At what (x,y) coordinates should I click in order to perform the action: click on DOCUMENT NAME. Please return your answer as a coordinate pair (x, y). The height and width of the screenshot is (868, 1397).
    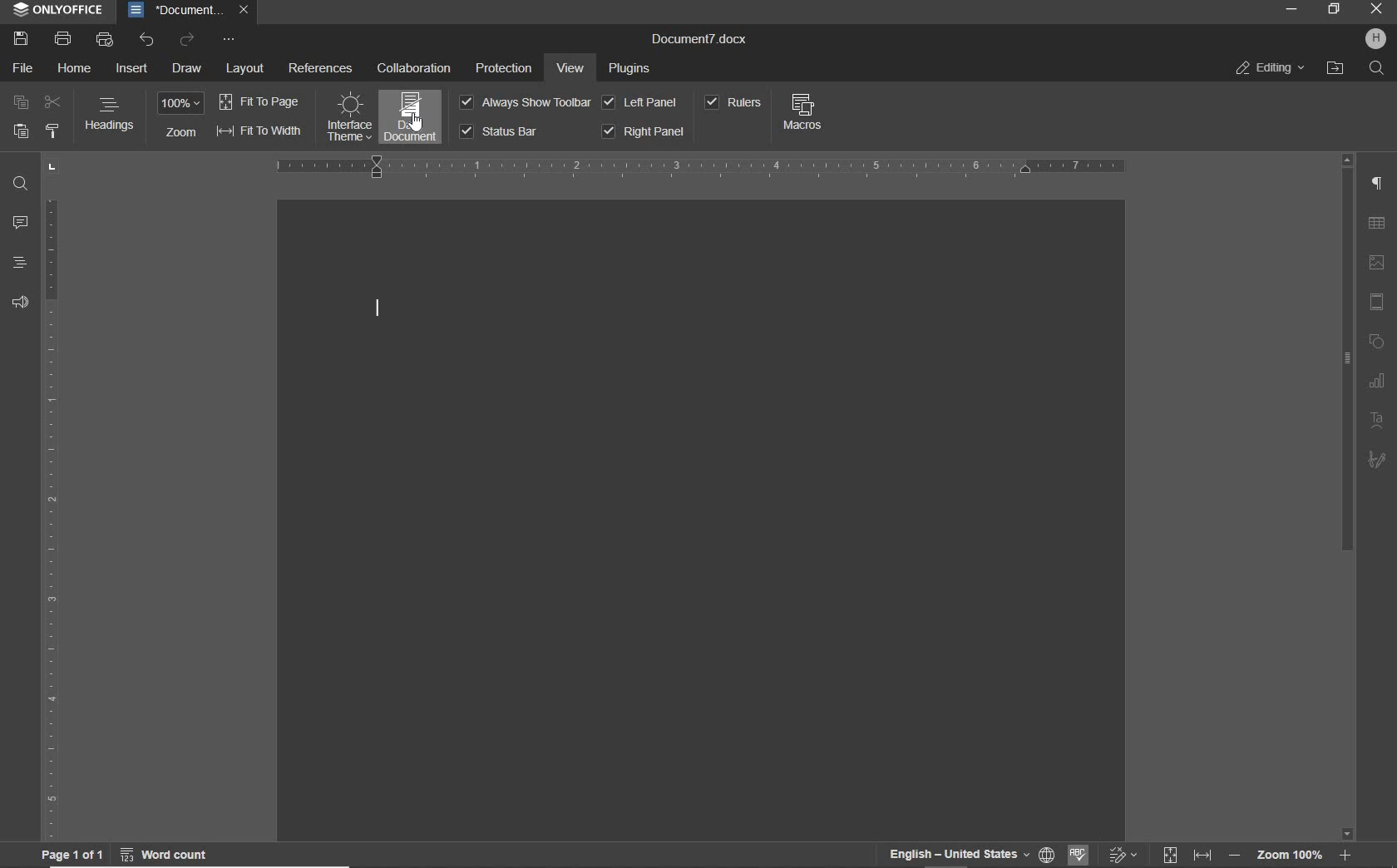
    Looking at the image, I should click on (190, 11).